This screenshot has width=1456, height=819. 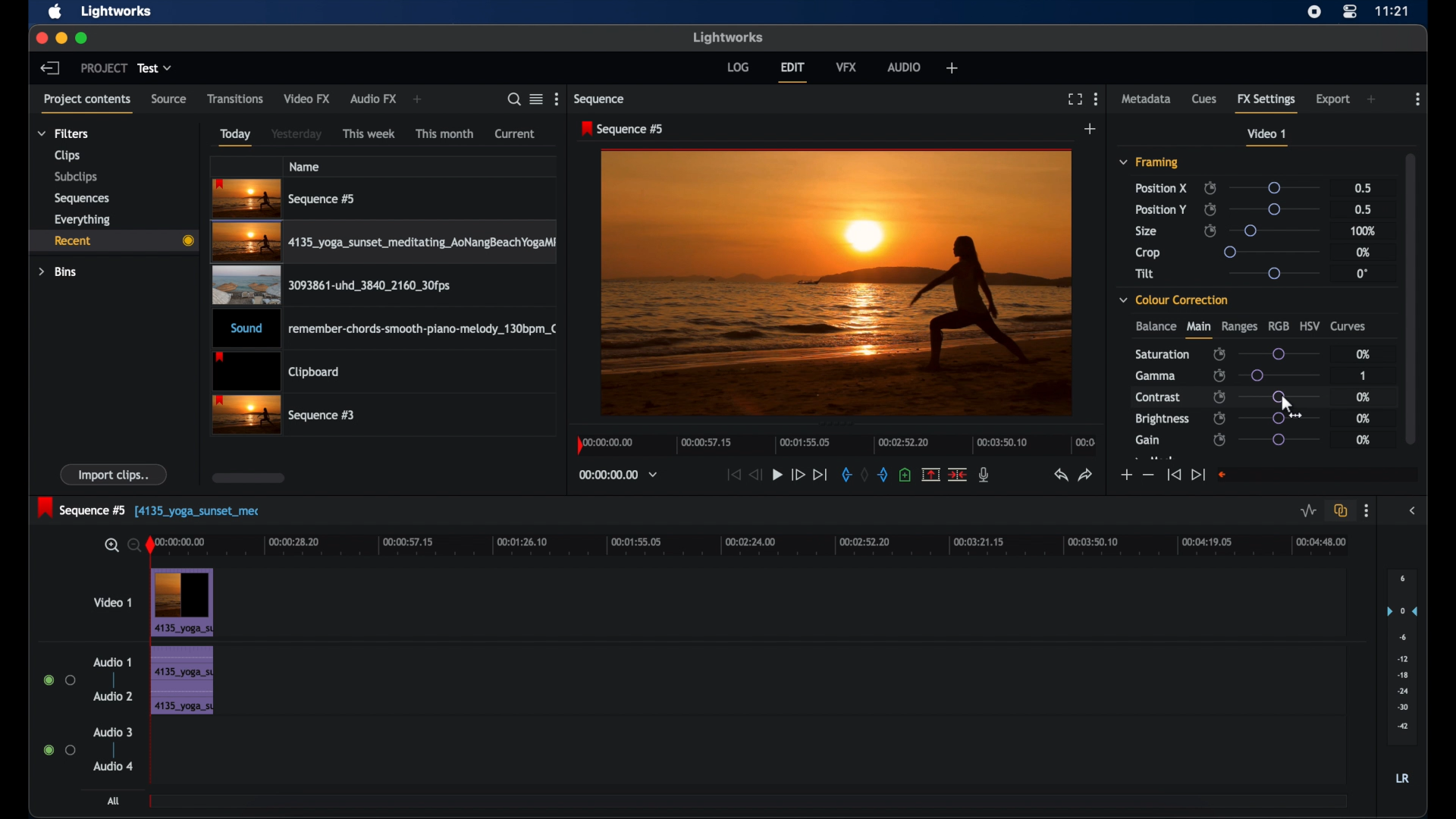 What do you see at coordinates (846, 66) in the screenshot?
I see `vfx` at bounding box center [846, 66].